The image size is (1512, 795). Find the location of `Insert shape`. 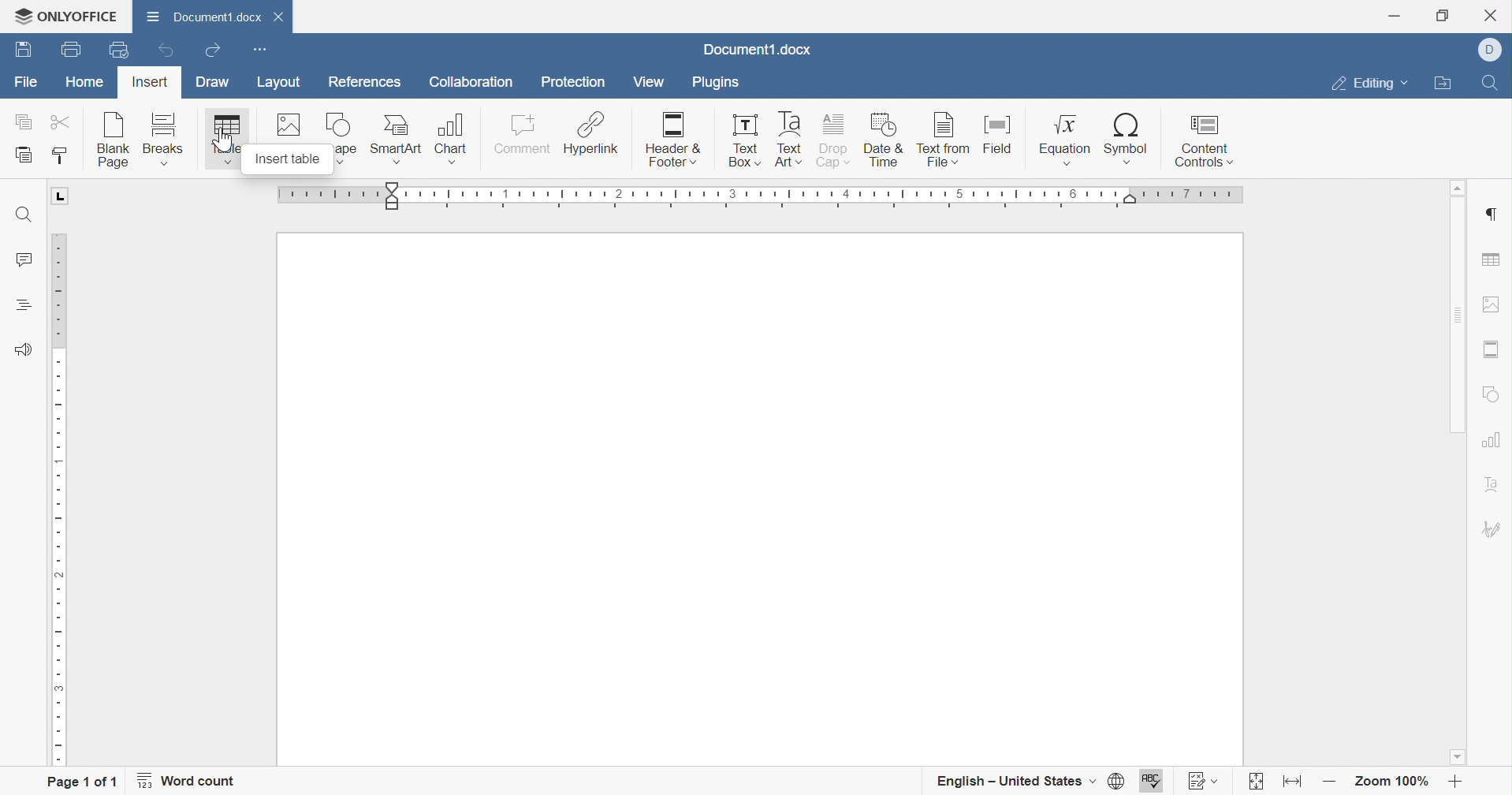

Insert shape is located at coordinates (344, 139).